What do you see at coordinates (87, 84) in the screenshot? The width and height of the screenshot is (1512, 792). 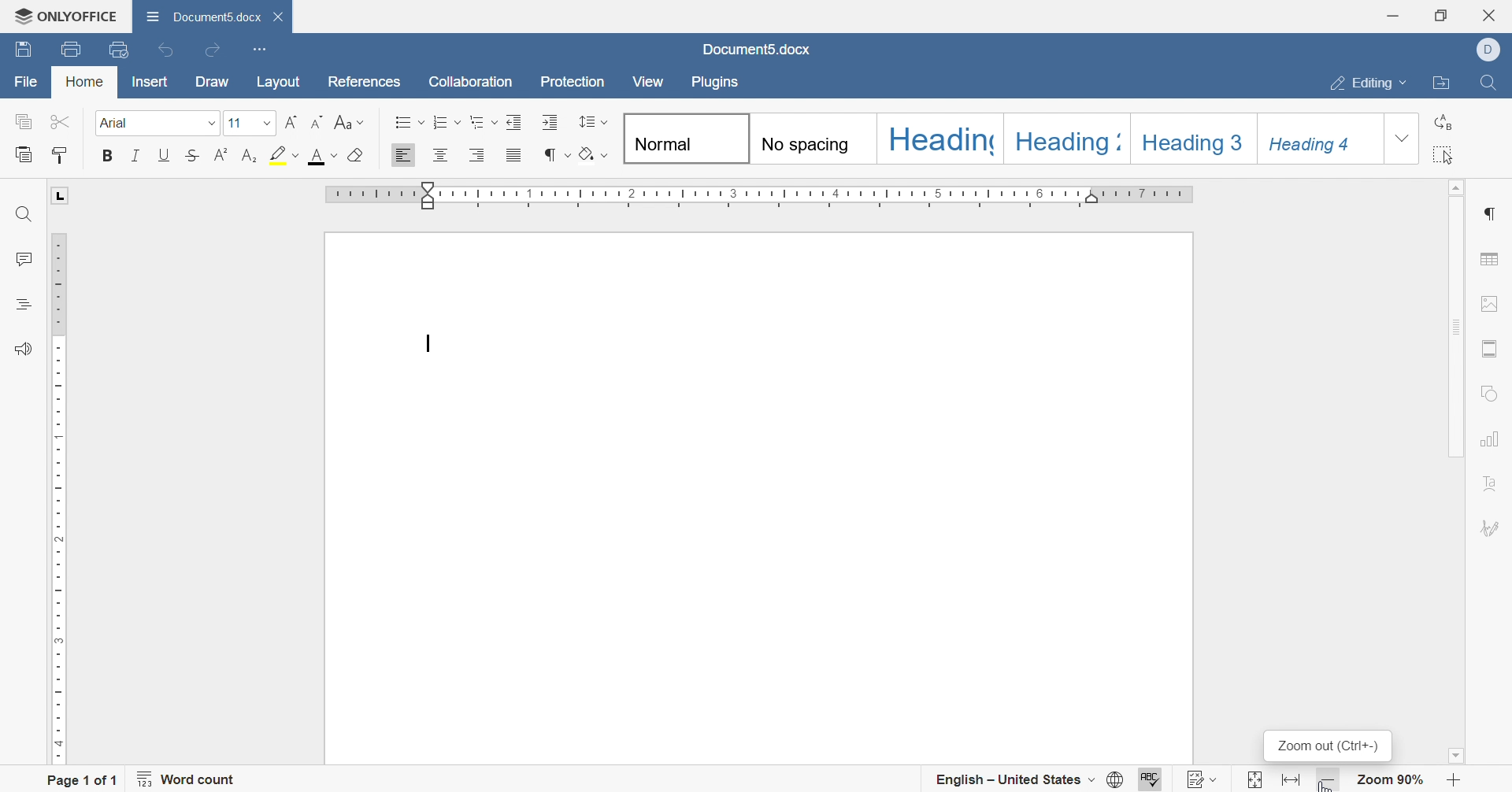 I see `home` at bounding box center [87, 84].